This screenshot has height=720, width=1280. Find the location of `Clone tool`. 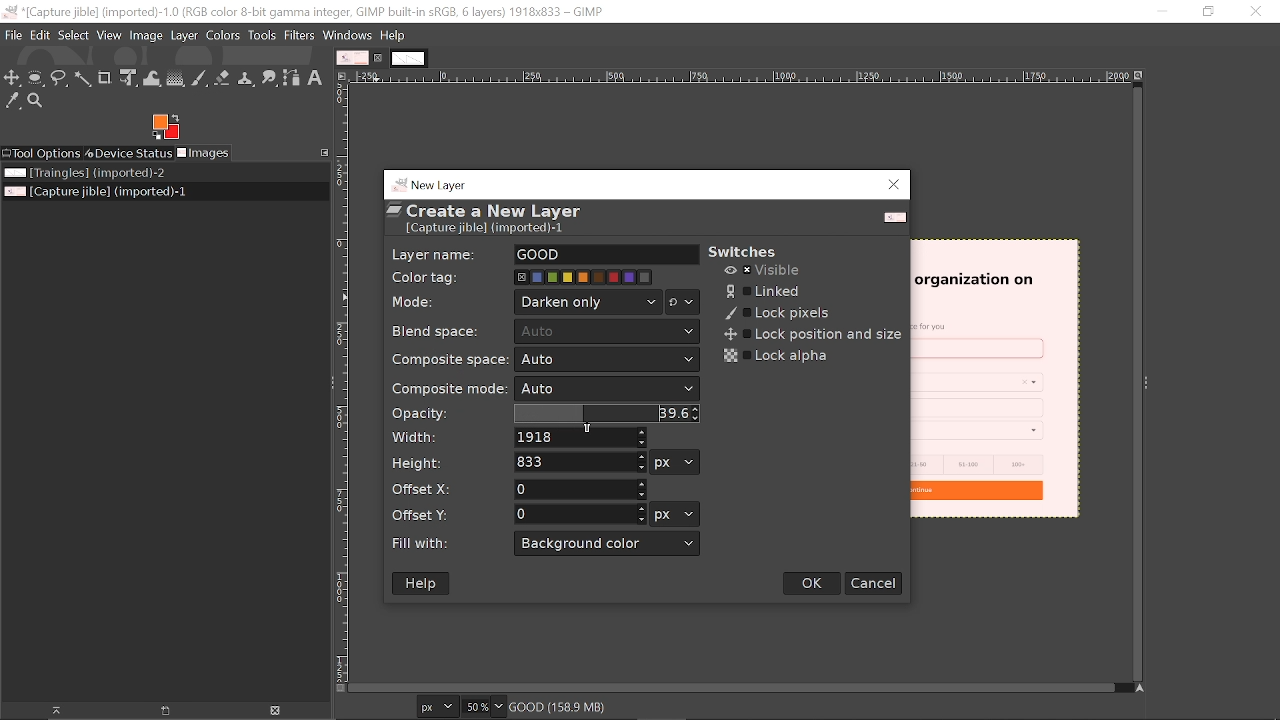

Clone tool is located at coordinates (247, 78).